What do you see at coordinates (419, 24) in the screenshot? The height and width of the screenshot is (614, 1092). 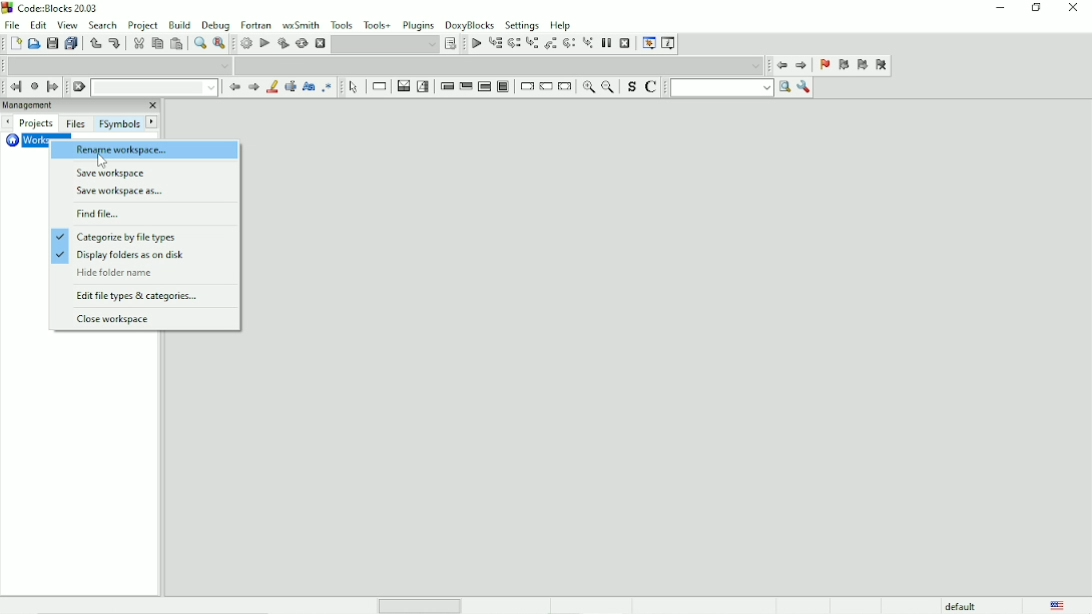 I see `Plugins` at bounding box center [419, 24].